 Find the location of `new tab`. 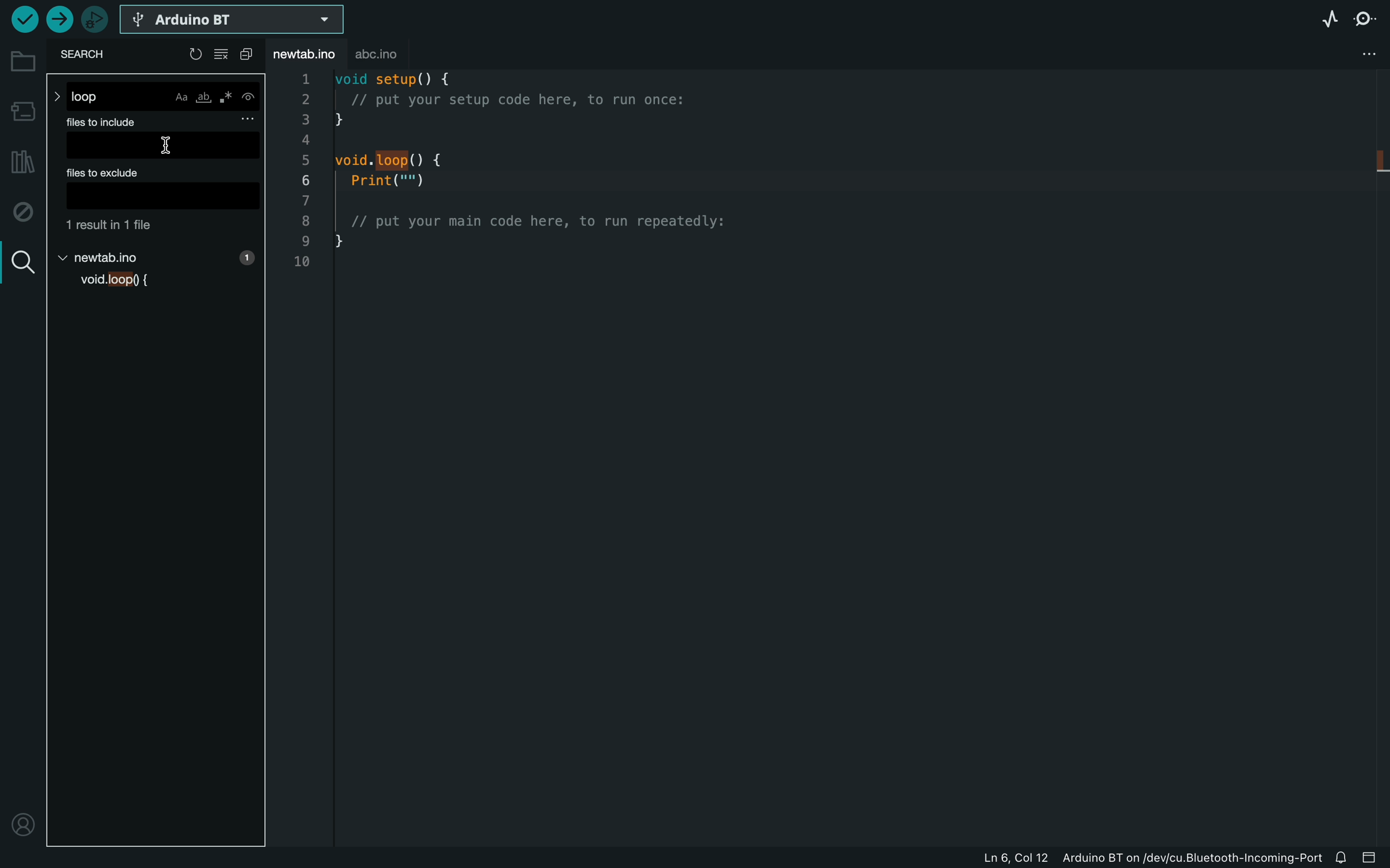

new tab is located at coordinates (157, 255).